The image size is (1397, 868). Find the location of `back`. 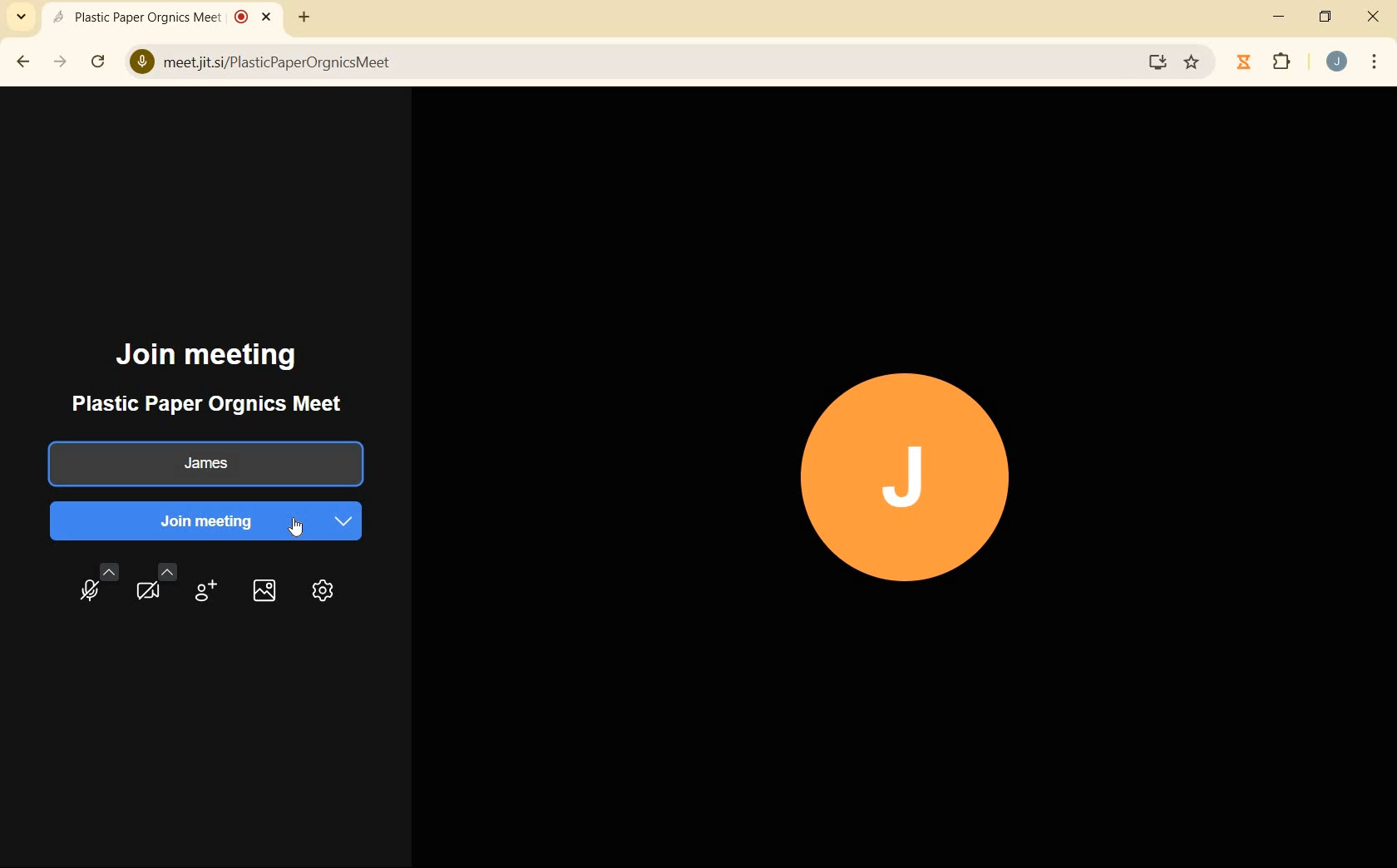

back is located at coordinates (24, 62).